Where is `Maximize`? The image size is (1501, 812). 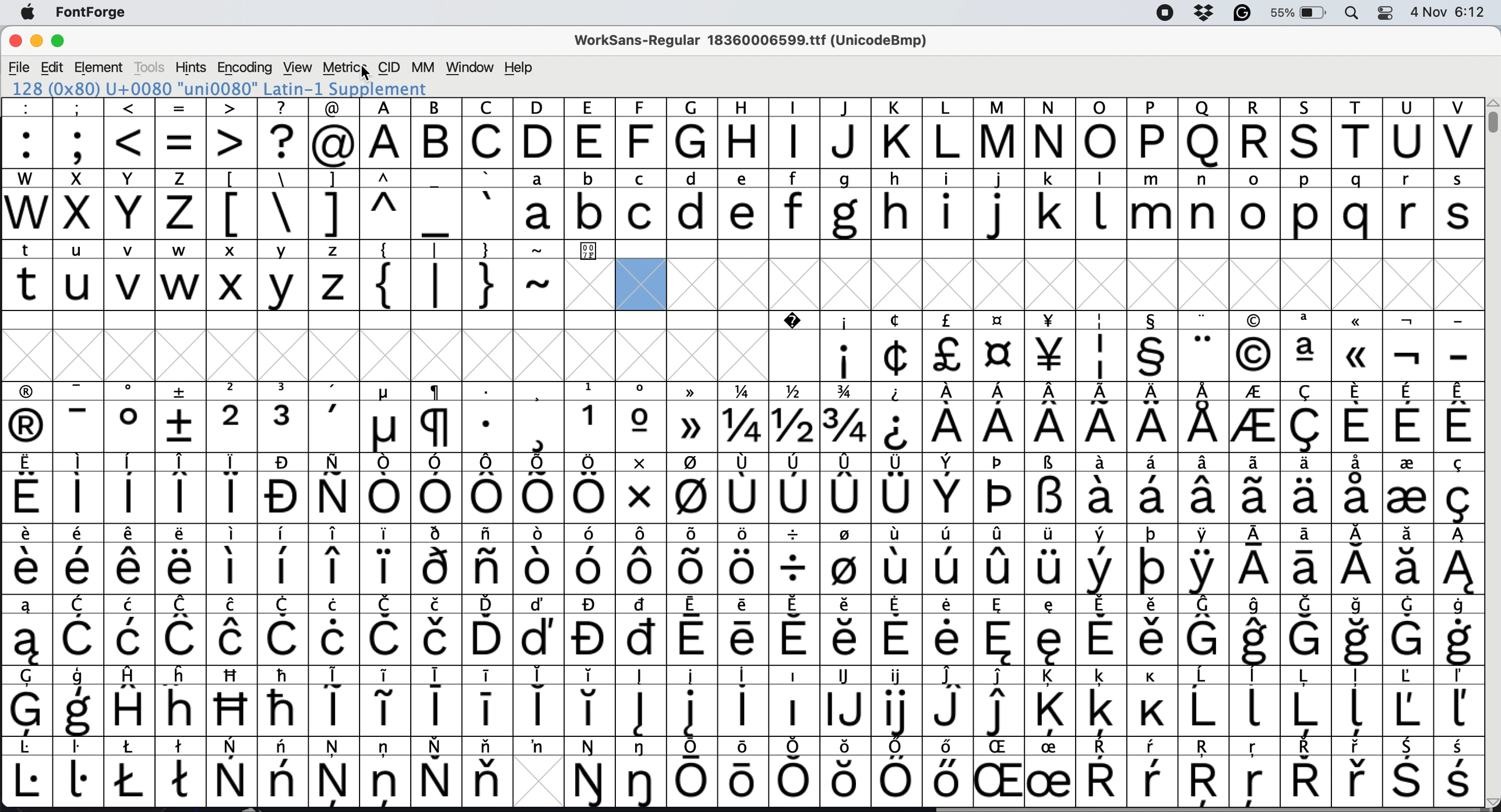 Maximize is located at coordinates (63, 41).